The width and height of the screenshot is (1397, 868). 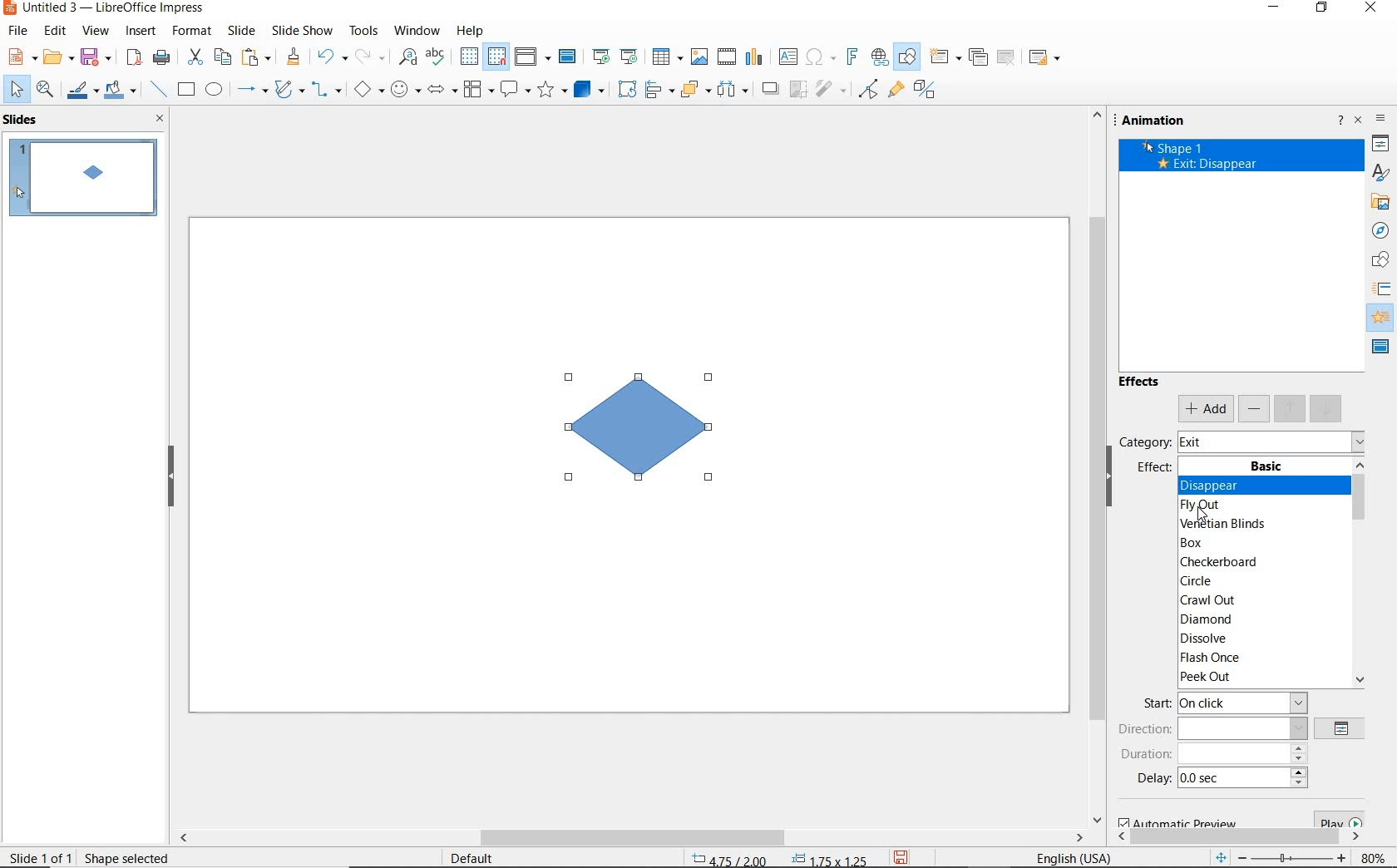 What do you see at coordinates (1359, 123) in the screenshot?
I see `close sidebar deck` at bounding box center [1359, 123].